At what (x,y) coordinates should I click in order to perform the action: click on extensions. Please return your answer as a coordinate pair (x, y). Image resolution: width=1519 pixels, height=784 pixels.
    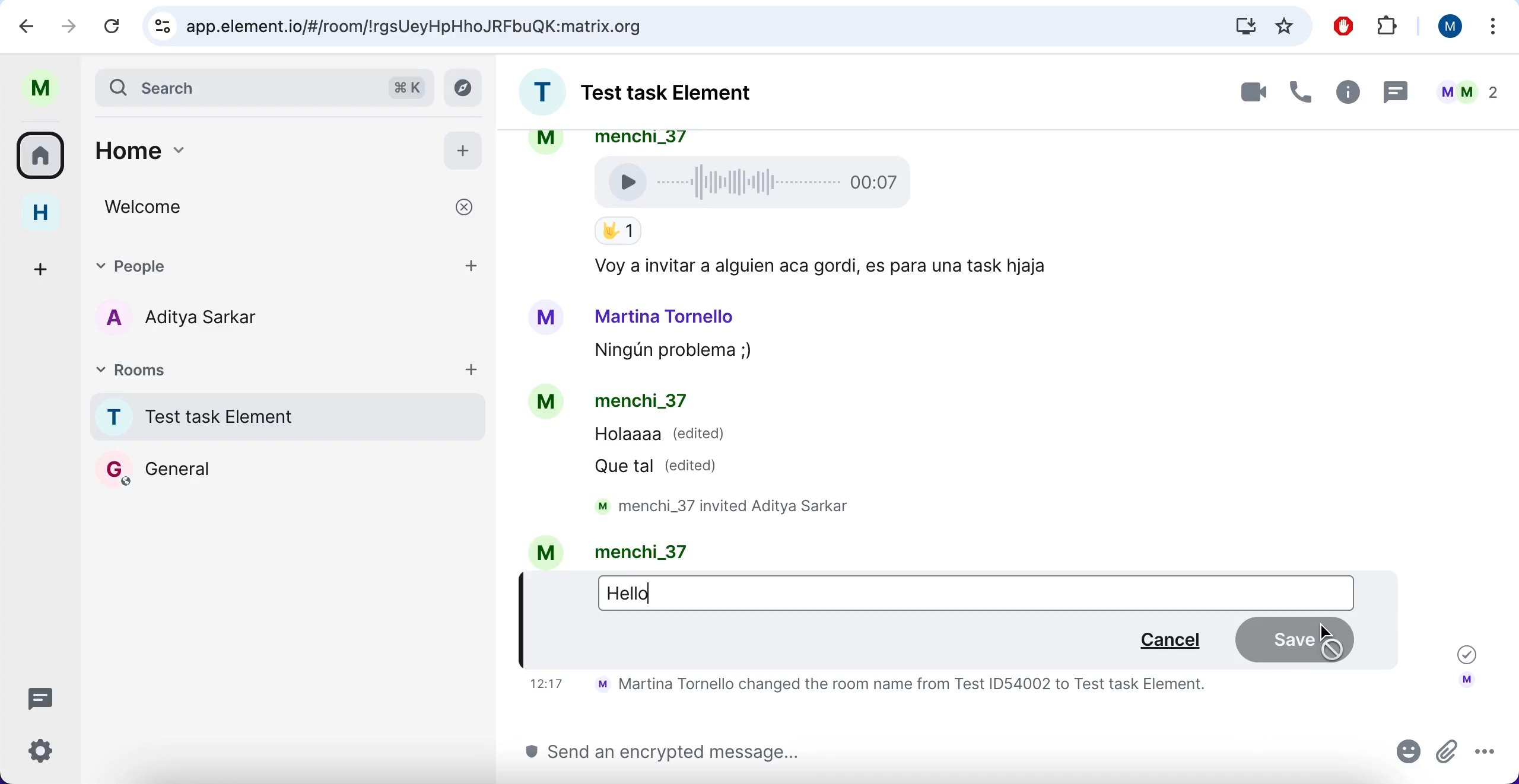
    Looking at the image, I should click on (1394, 26).